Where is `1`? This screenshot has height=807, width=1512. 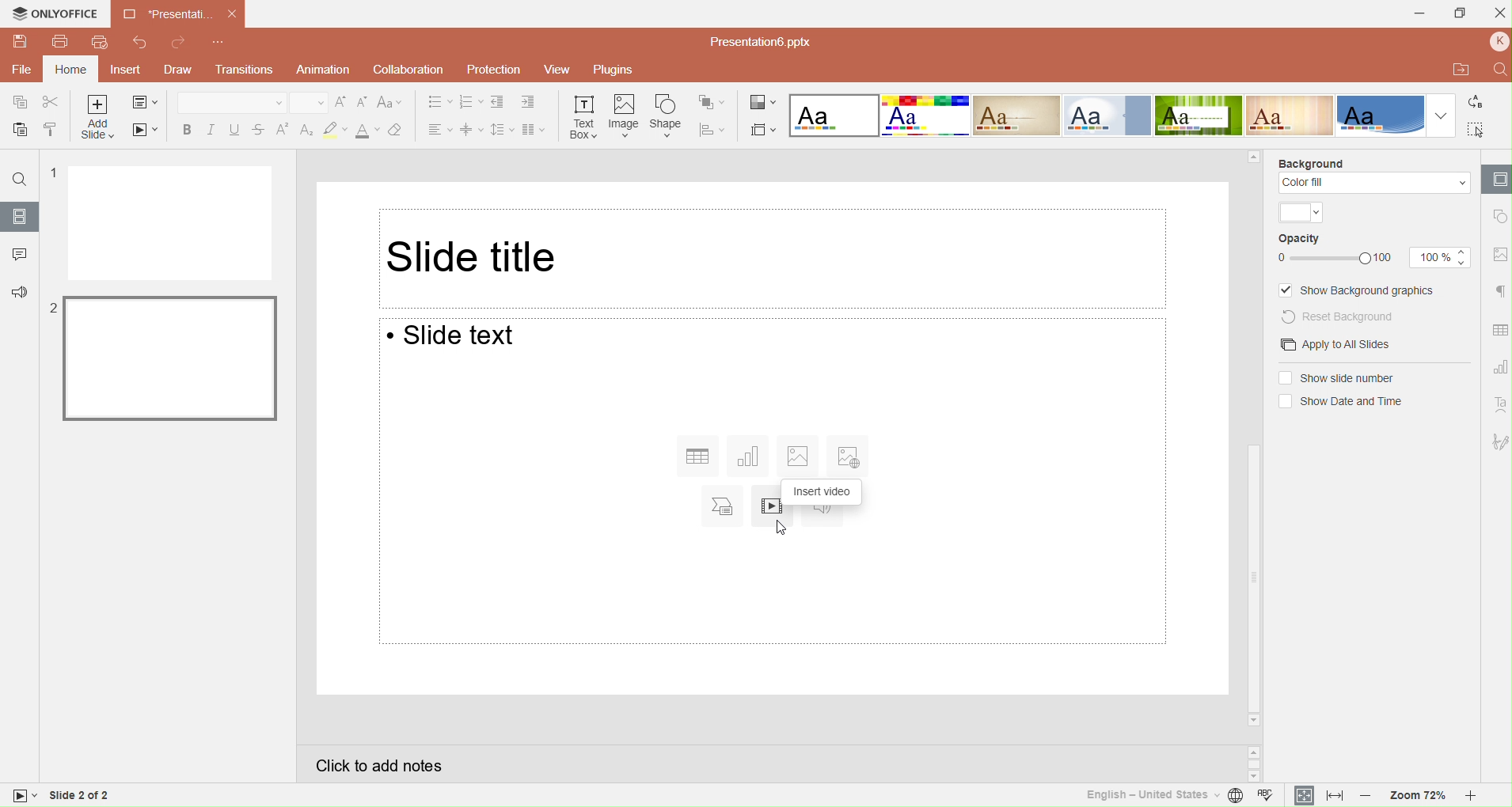 1 is located at coordinates (56, 177).